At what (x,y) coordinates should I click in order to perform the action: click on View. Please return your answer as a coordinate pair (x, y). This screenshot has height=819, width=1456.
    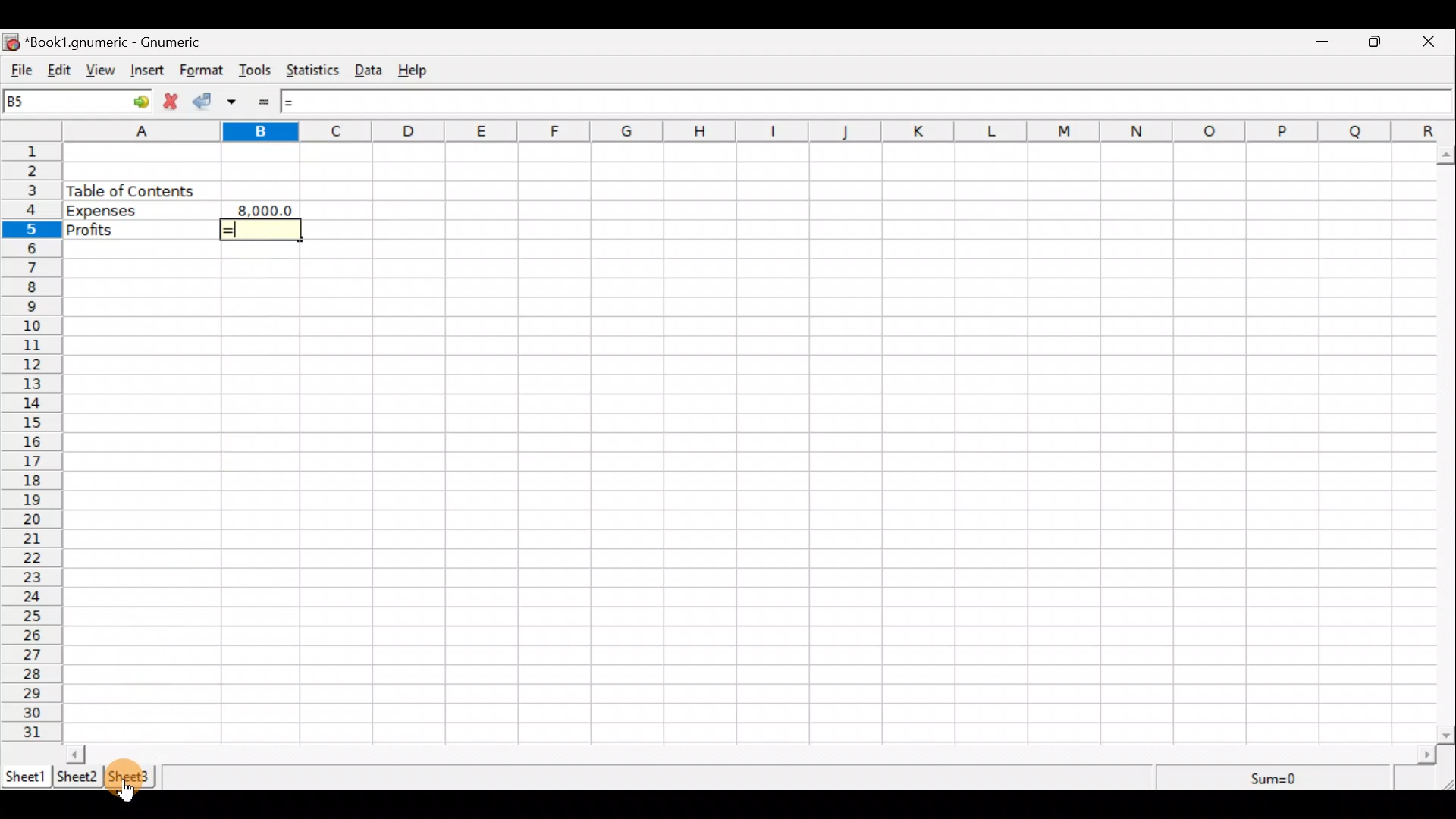
    Looking at the image, I should click on (101, 72).